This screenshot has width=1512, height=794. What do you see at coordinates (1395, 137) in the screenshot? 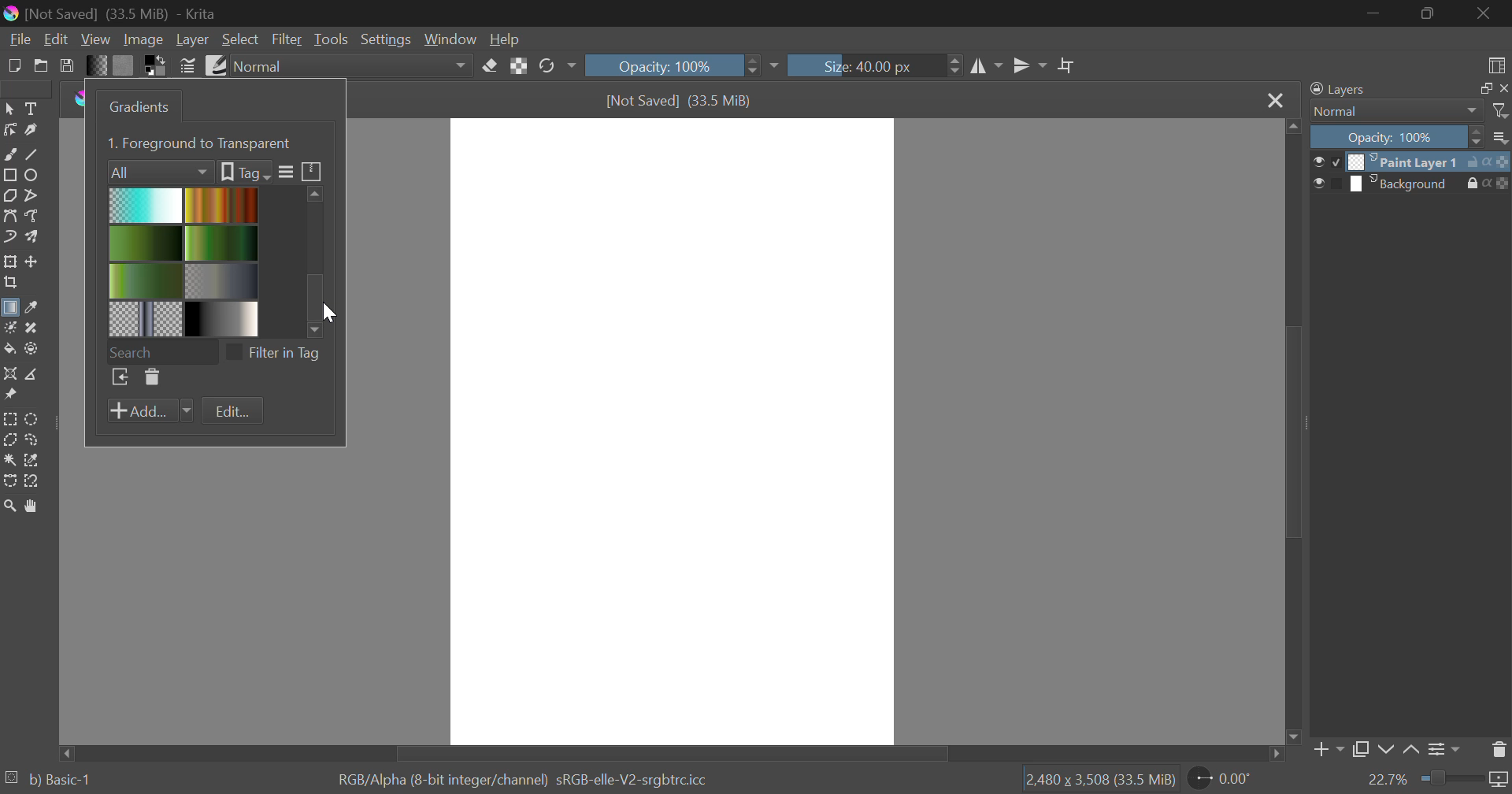
I see `Opacity 100%` at bounding box center [1395, 137].